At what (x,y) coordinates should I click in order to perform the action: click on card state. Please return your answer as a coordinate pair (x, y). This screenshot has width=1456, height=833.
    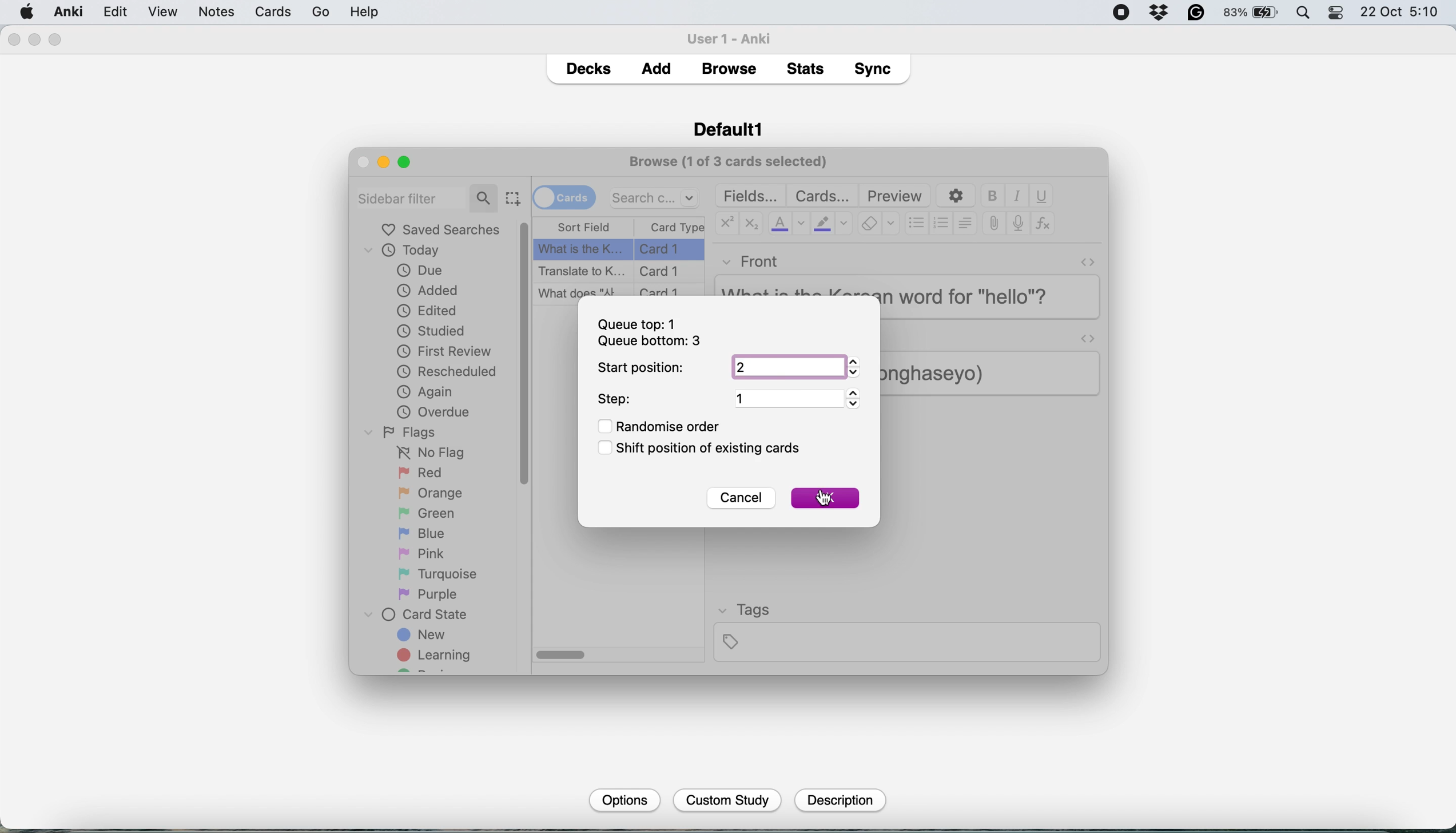
    Looking at the image, I should click on (421, 614).